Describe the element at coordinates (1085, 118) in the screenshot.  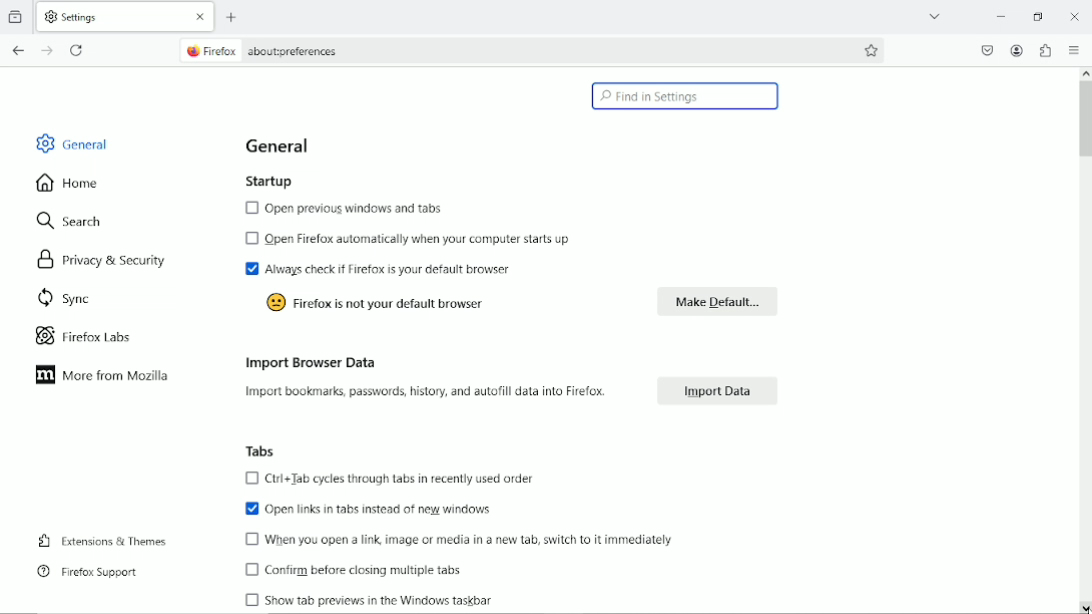
I see `Vertical scrollbar` at that location.